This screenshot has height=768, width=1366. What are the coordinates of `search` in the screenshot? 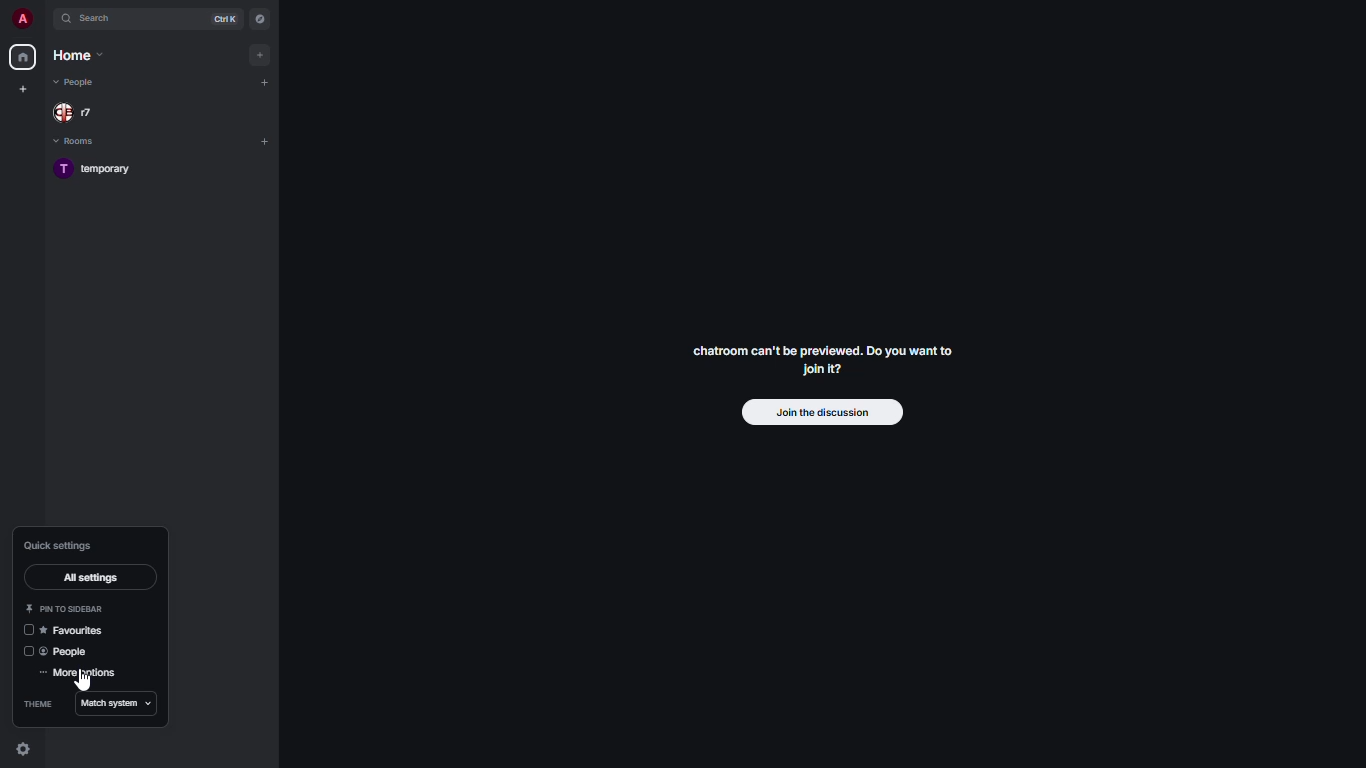 It's located at (98, 19).